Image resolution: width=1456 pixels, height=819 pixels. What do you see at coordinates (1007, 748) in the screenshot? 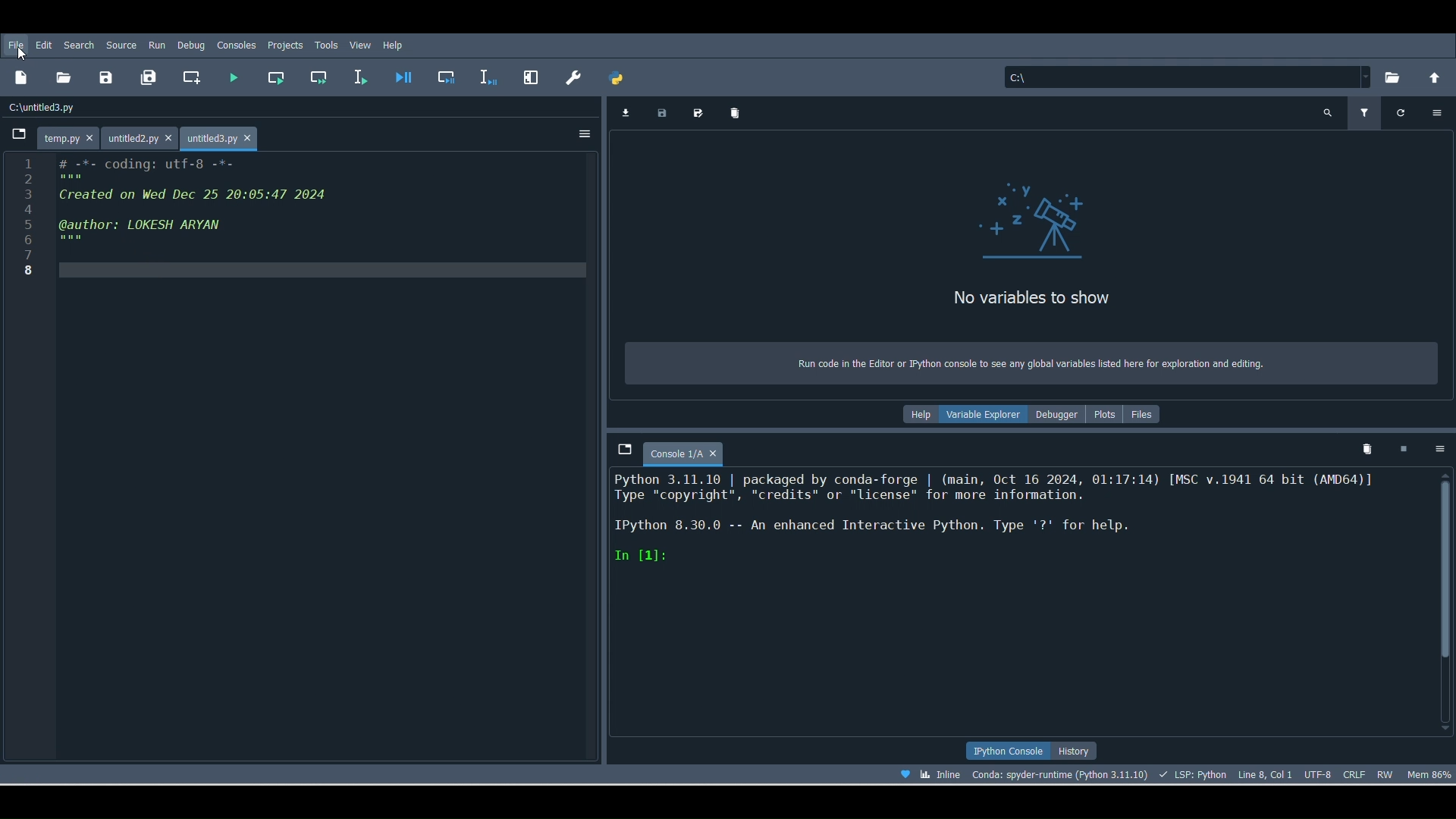
I see `IPython console` at bounding box center [1007, 748].